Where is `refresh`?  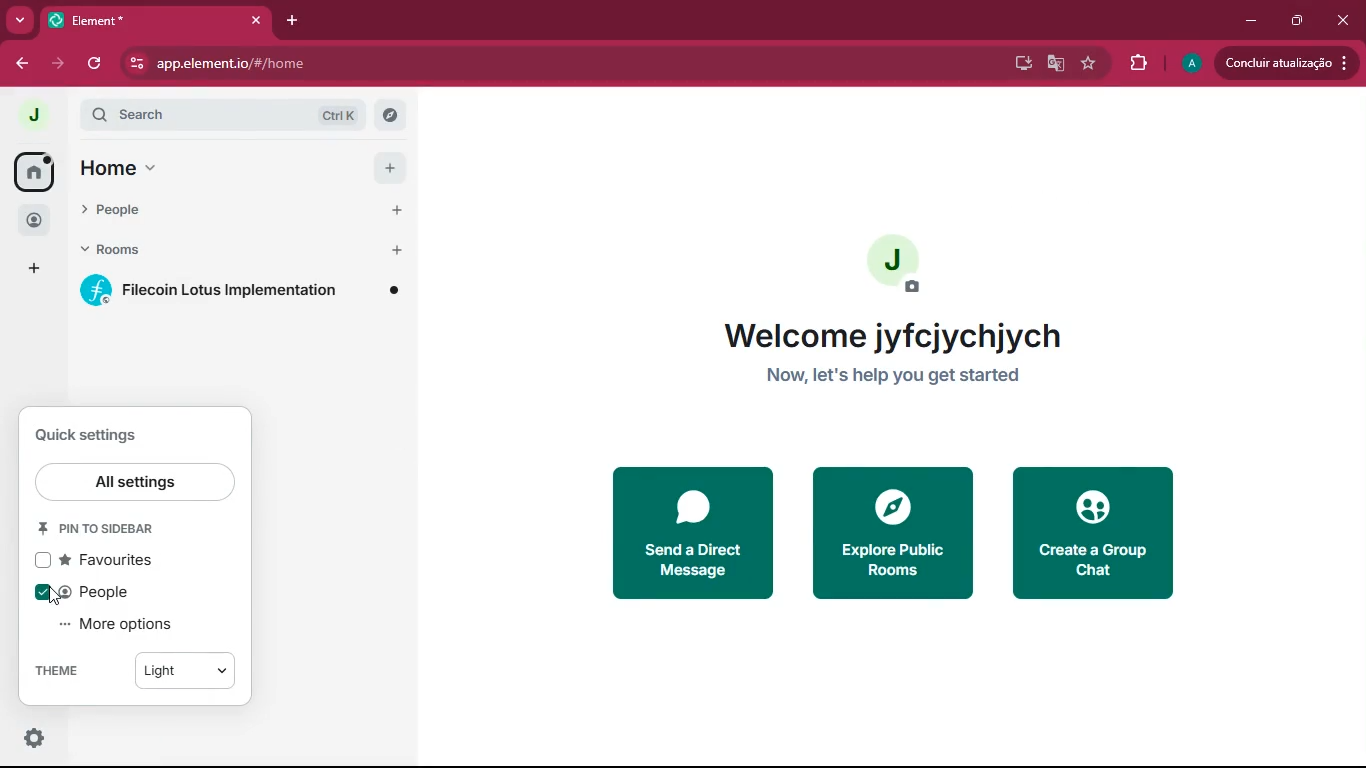
refresh is located at coordinates (97, 63).